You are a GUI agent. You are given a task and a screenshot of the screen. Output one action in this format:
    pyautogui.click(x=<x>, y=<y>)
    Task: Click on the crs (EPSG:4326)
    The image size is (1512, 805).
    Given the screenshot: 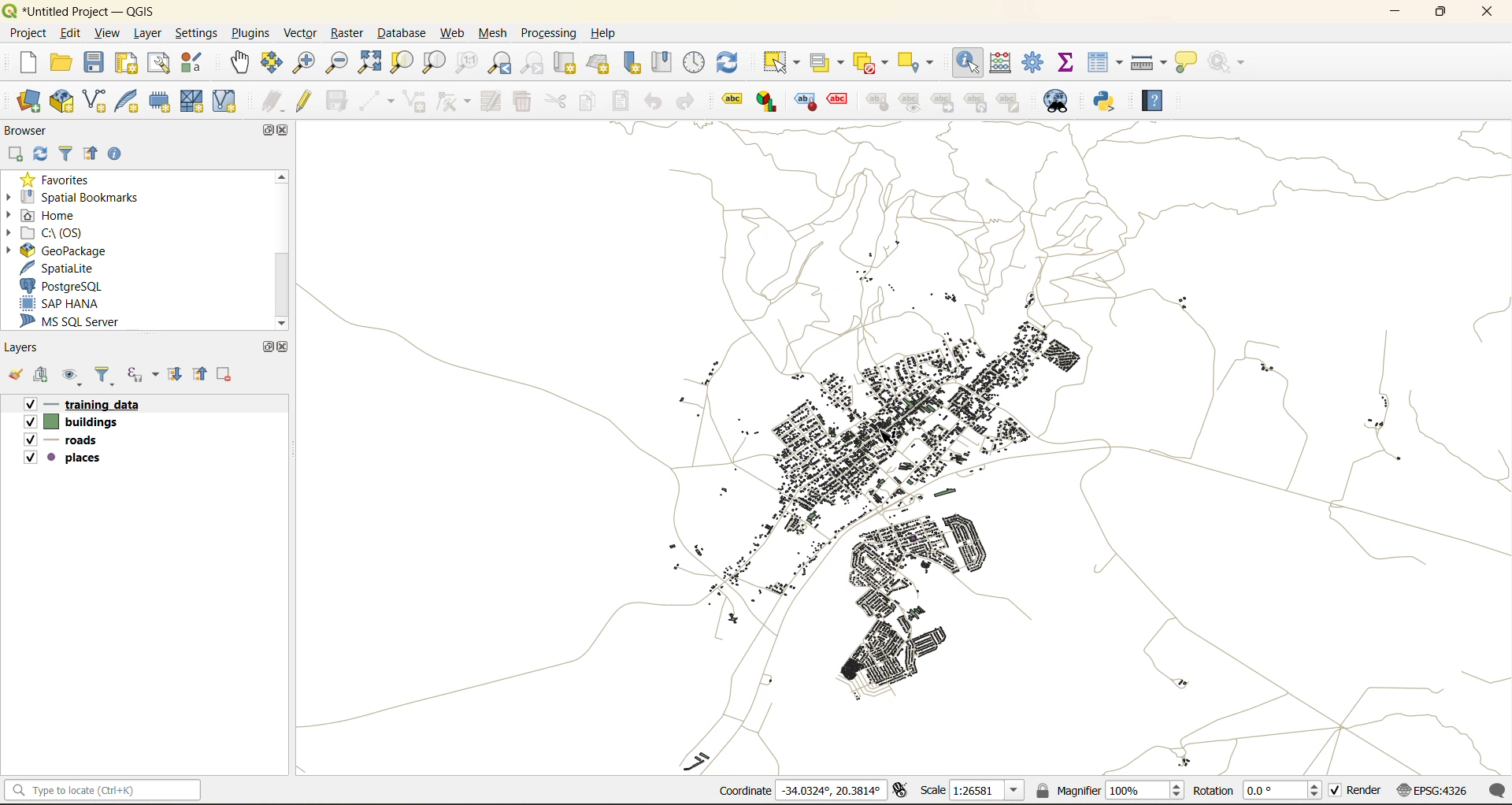 What is the action you would take?
    pyautogui.click(x=1436, y=791)
    